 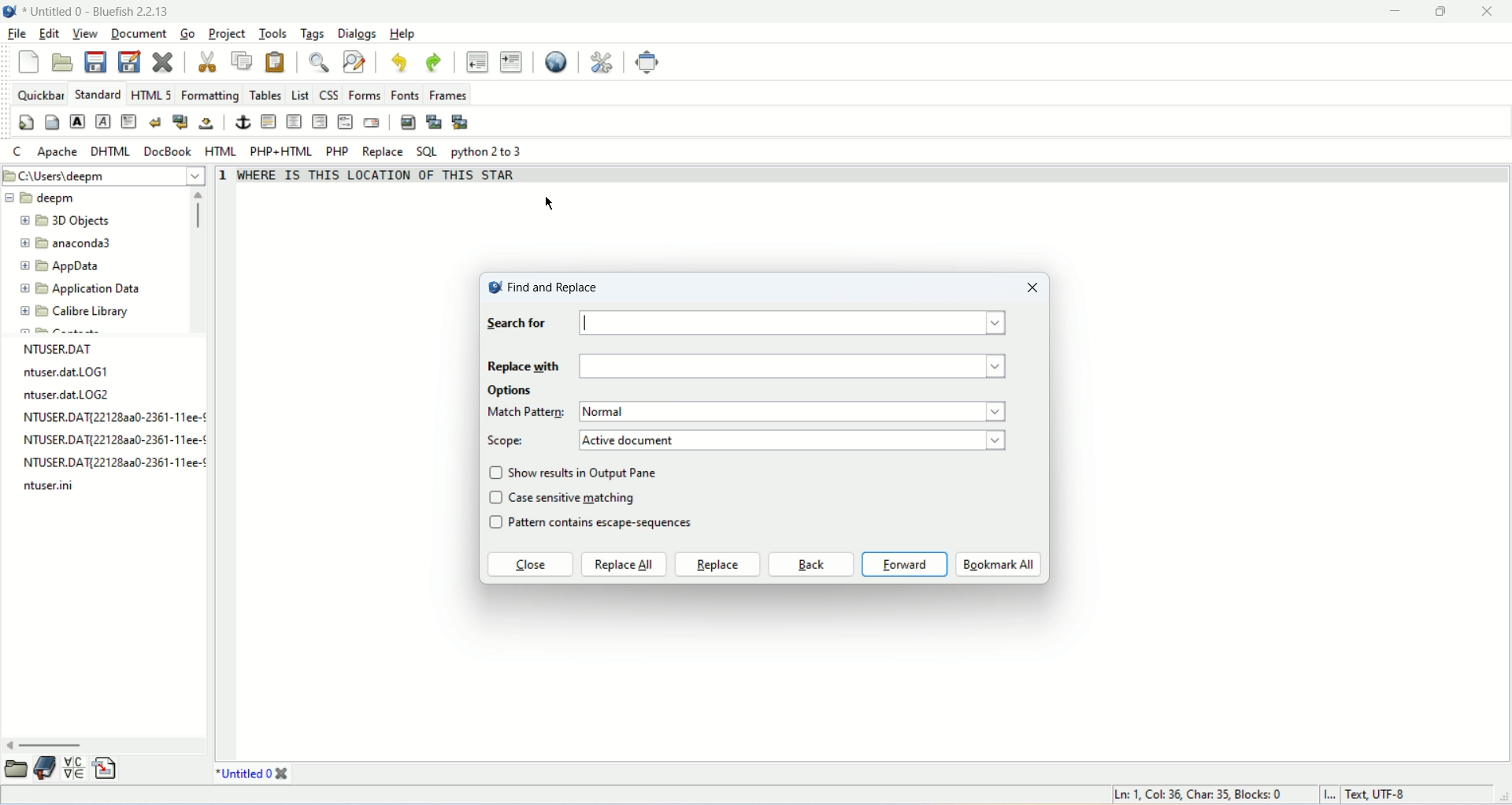 What do you see at coordinates (356, 33) in the screenshot?
I see `dialogs` at bounding box center [356, 33].